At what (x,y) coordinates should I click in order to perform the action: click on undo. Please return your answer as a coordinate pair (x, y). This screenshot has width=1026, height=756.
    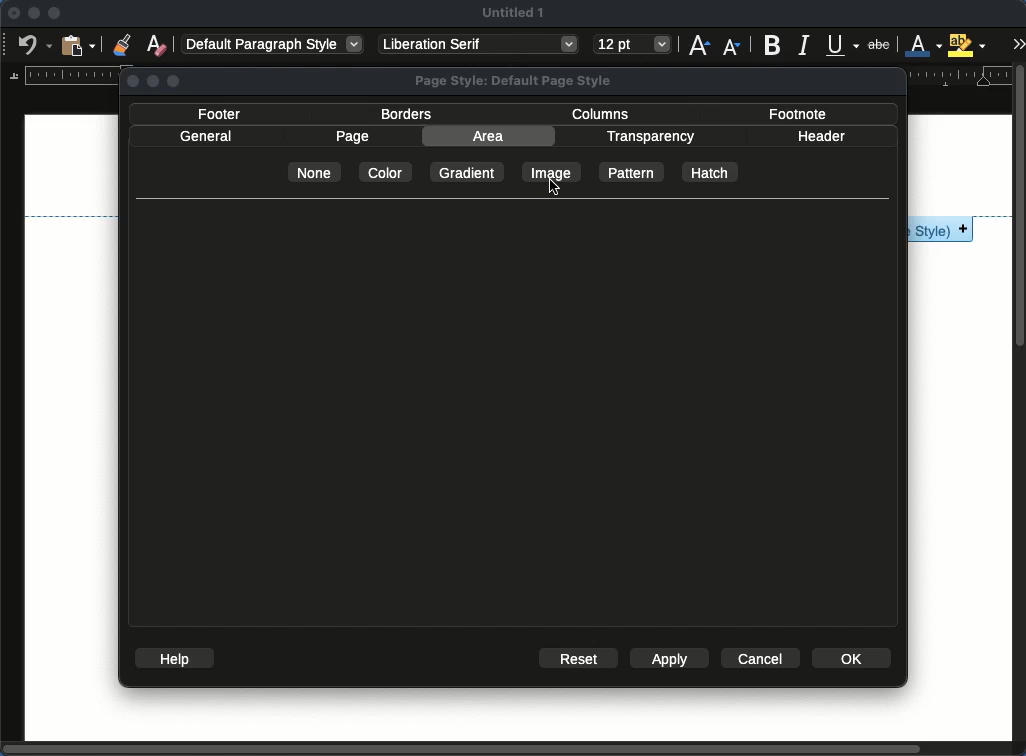
    Looking at the image, I should click on (32, 46).